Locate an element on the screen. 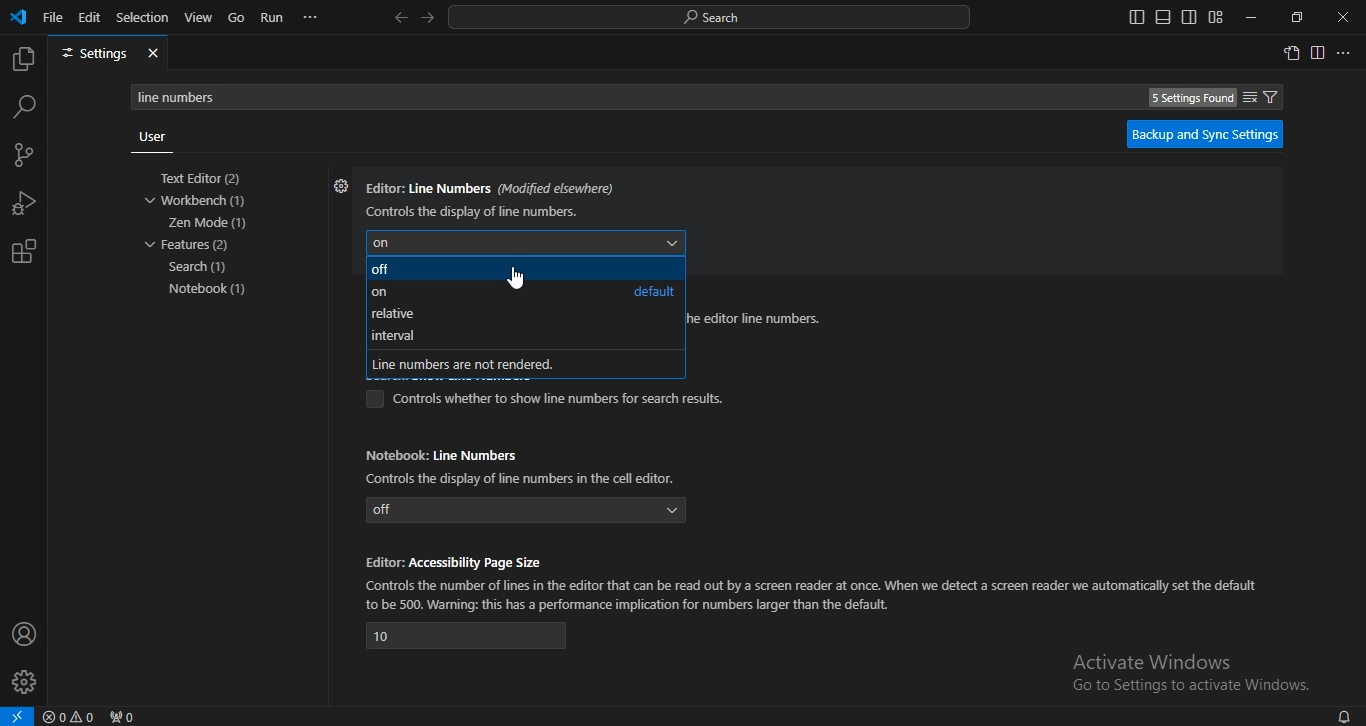 Image resolution: width=1366 pixels, height=726 pixels. on is located at coordinates (379, 294).